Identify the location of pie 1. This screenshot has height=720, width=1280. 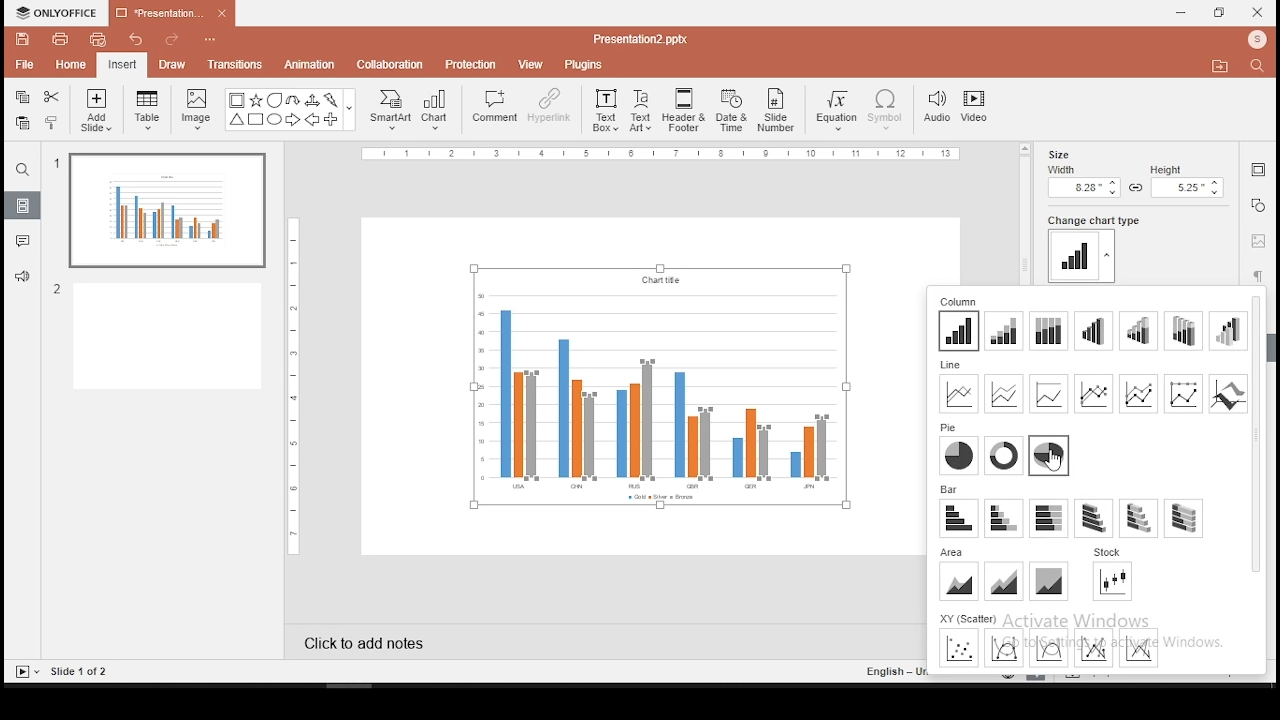
(960, 456).